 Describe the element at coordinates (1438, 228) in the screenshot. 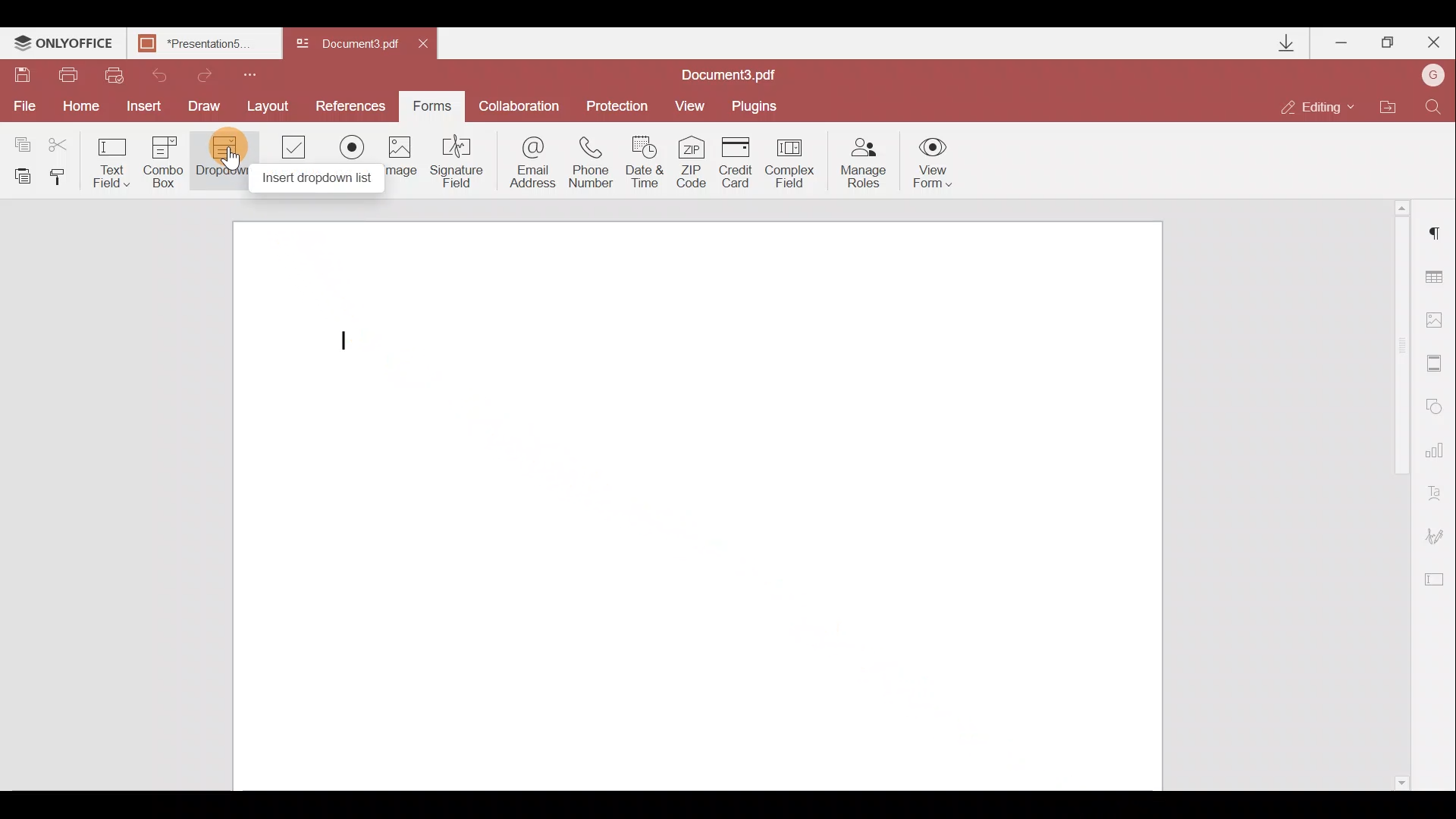

I see `Paragraph settings` at that location.